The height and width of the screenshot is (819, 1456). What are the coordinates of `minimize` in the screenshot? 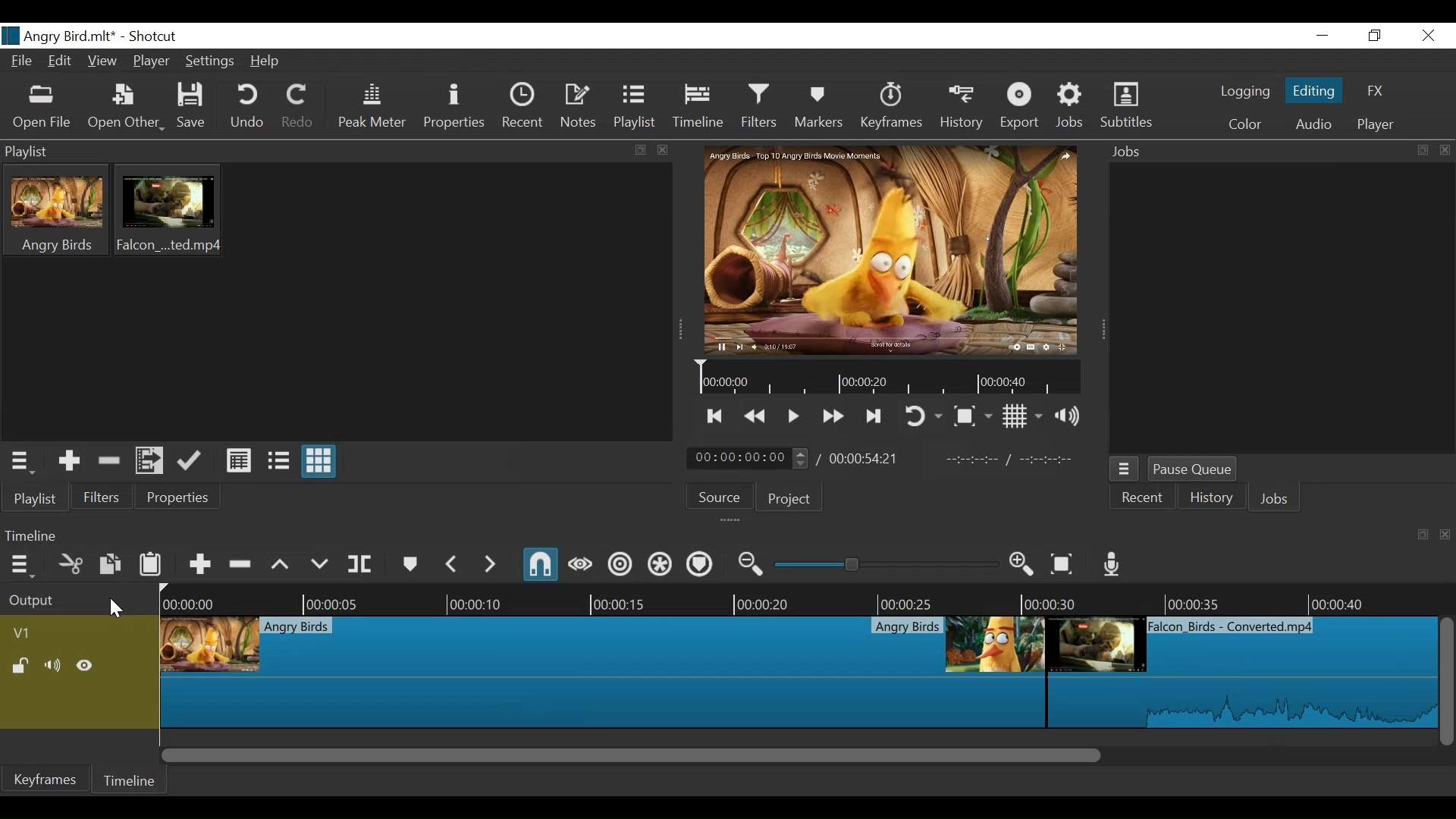 It's located at (1323, 36).